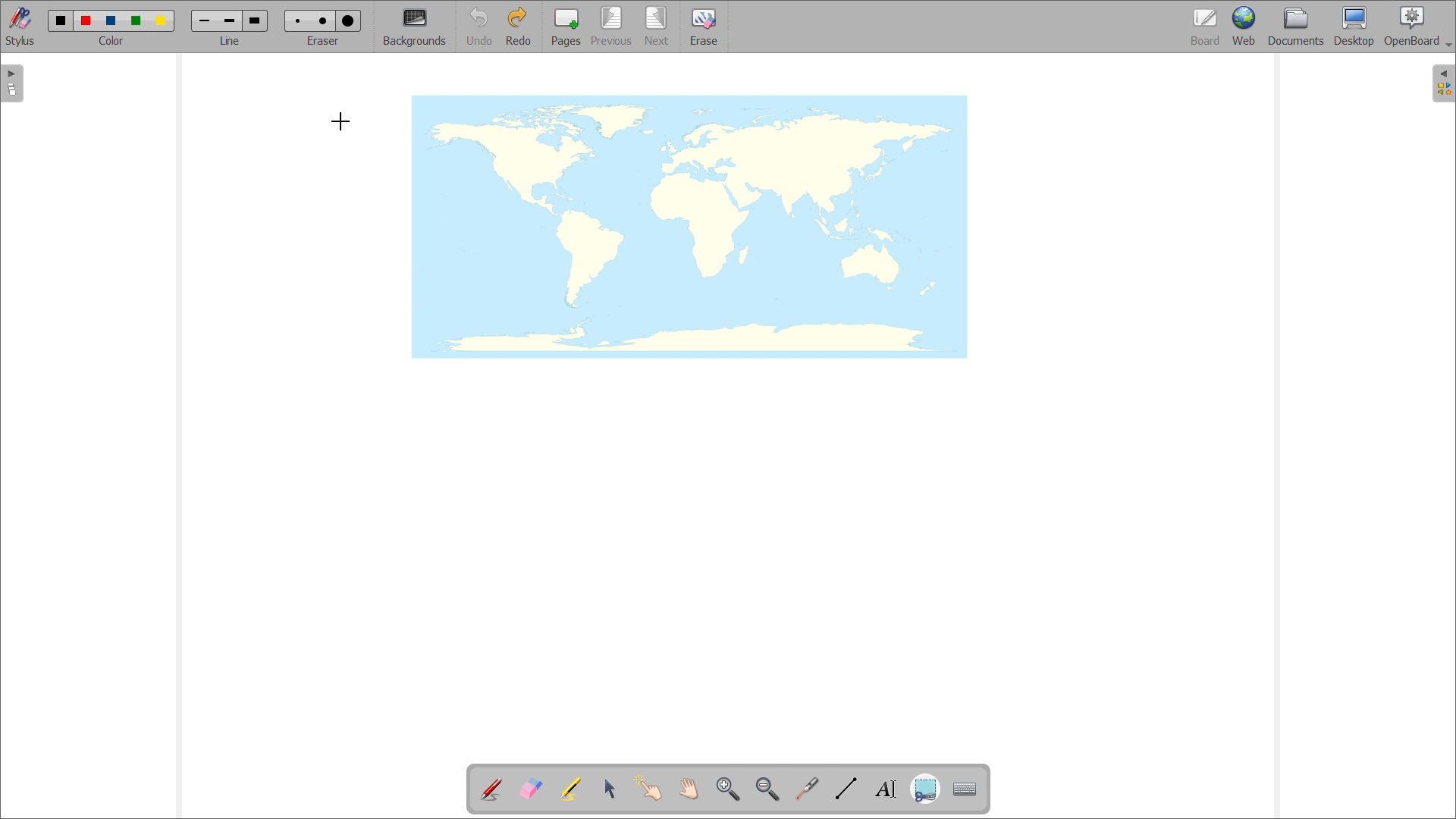  Describe the element at coordinates (846, 789) in the screenshot. I see `draw lines` at that location.